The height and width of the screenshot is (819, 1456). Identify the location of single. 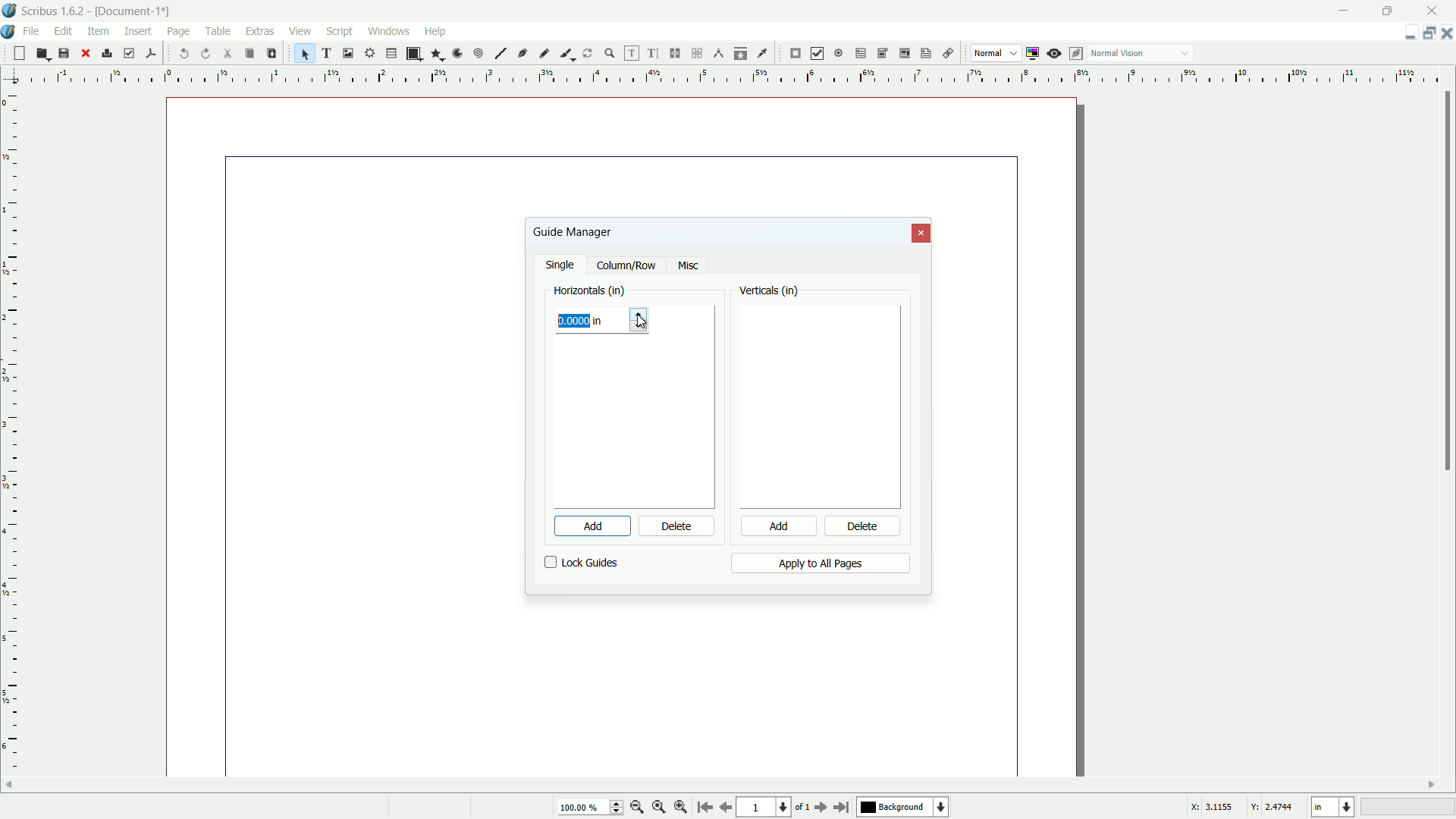
(562, 266).